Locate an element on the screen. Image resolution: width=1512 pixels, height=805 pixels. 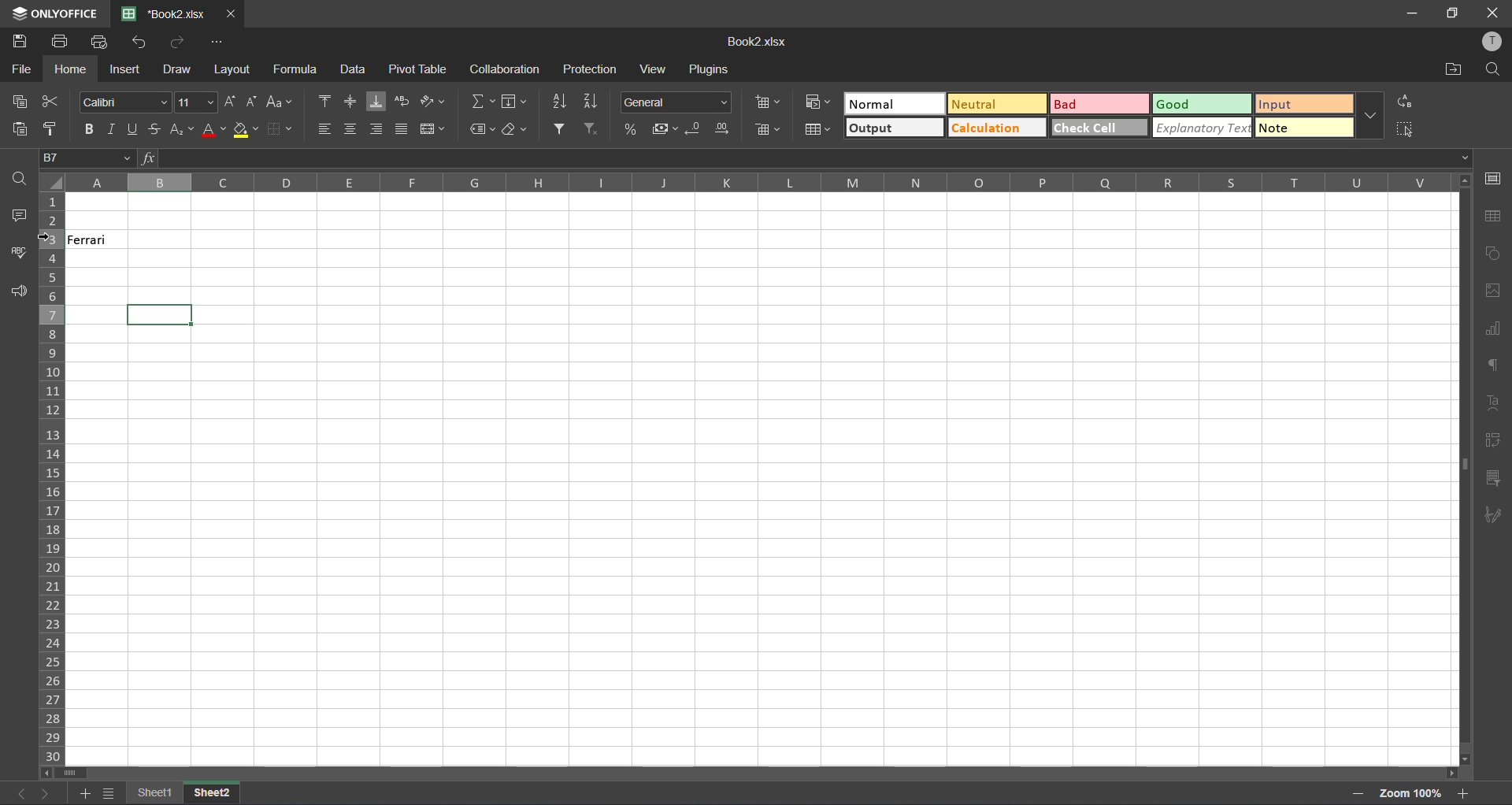
change case is located at coordinates (278, 102).